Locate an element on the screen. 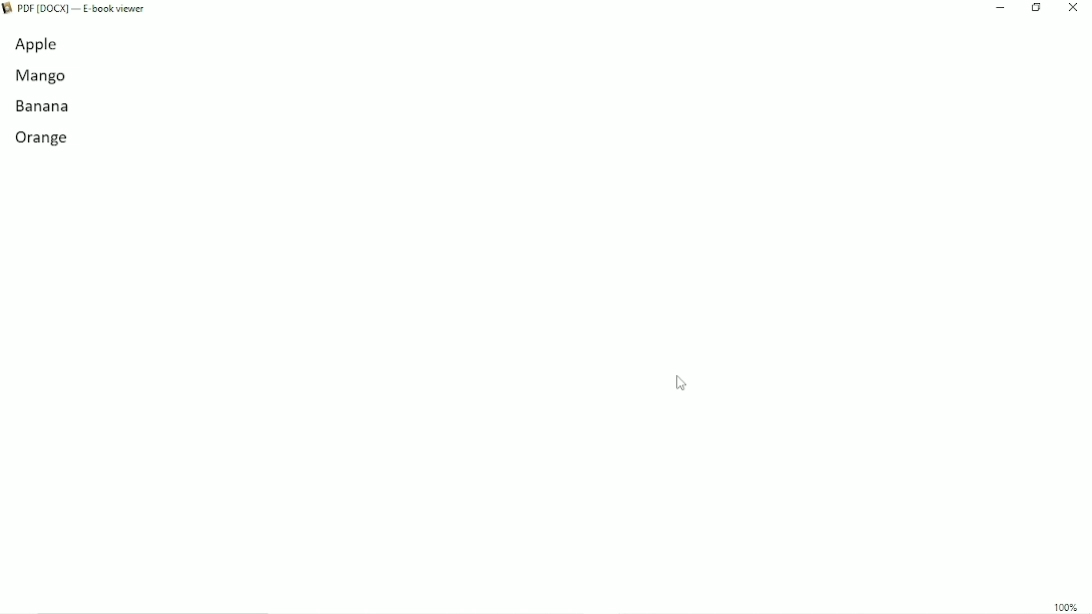 This screenshot has width=1092, height=614. Close is located at coordinates (1074, 9).